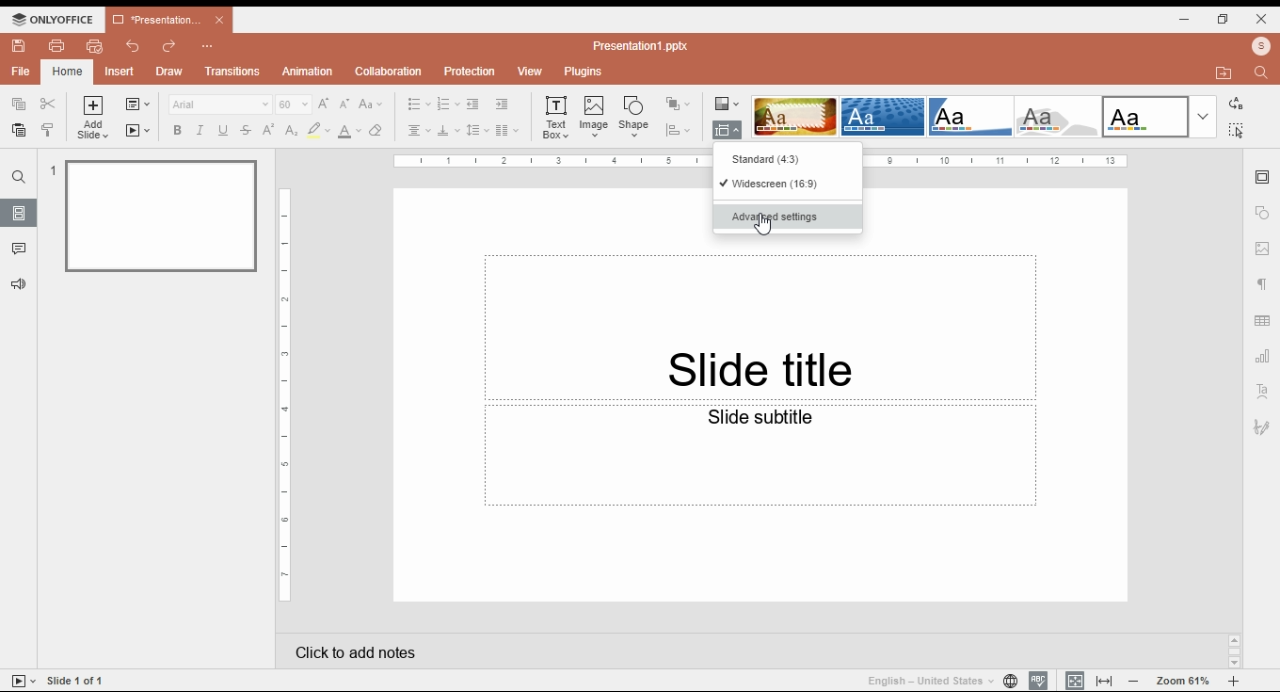 The image size is (1280, 692). Describe the element at coordinates (20, 285) in the screenshot. I see `feedback and support` at that location.